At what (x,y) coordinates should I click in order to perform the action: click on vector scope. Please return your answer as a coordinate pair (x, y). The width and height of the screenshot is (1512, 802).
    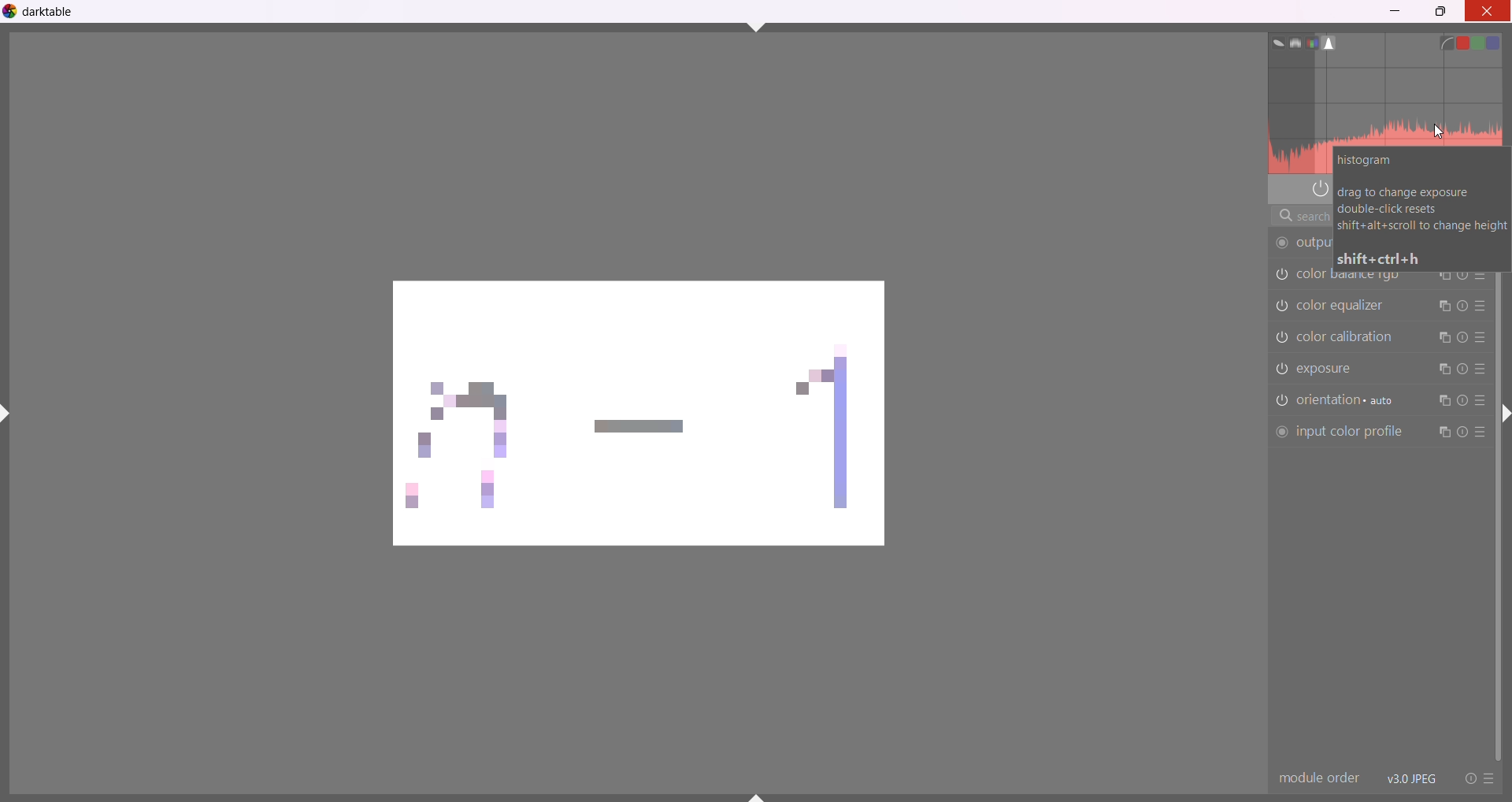
    Looking at the image, I should click on (1273, 41).